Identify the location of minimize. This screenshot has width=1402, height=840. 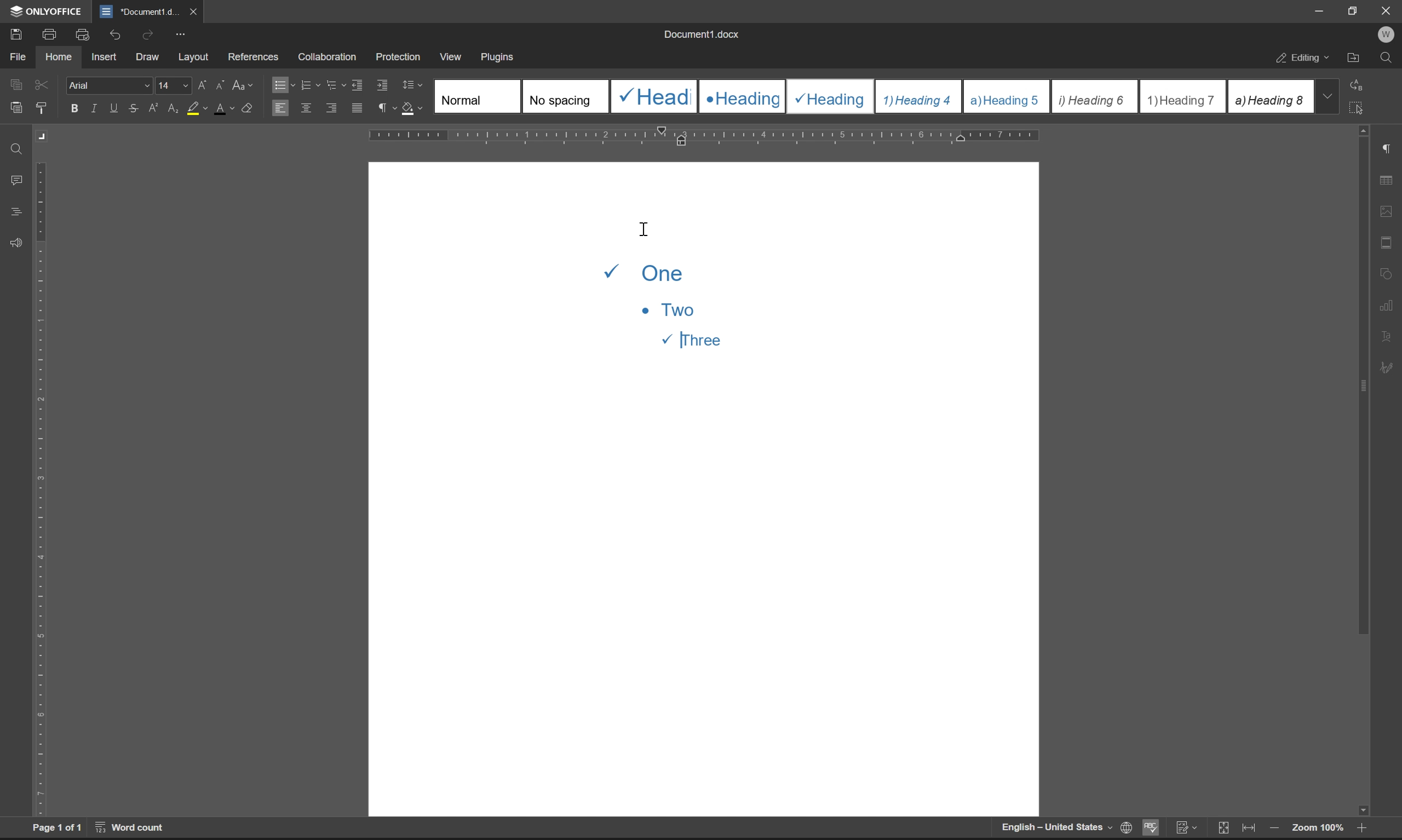
(1320, 11).